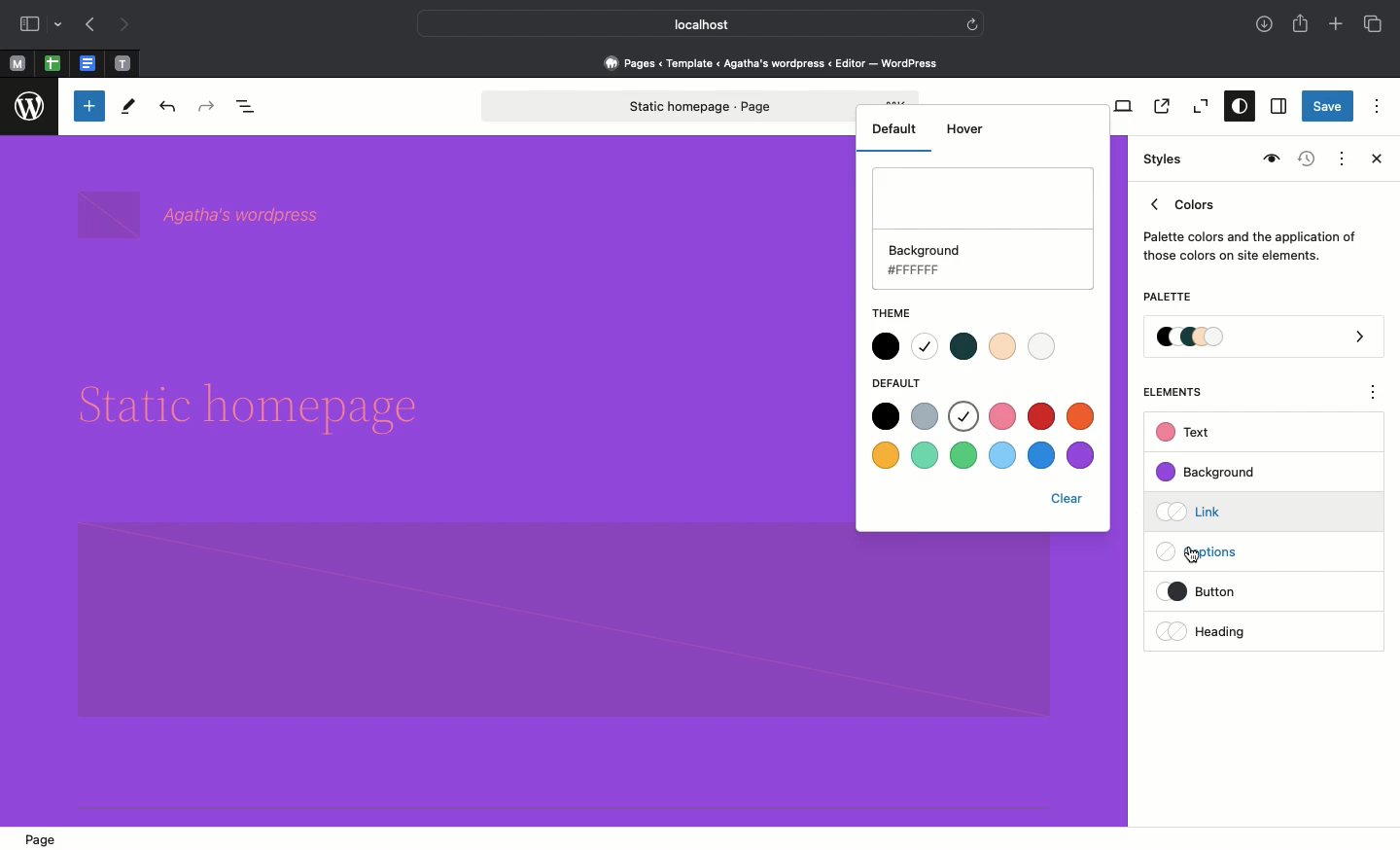  What do you see at coordinates (29, 24) in the screenshot?
I see `Sidebar` at bounding box center [29, 24].